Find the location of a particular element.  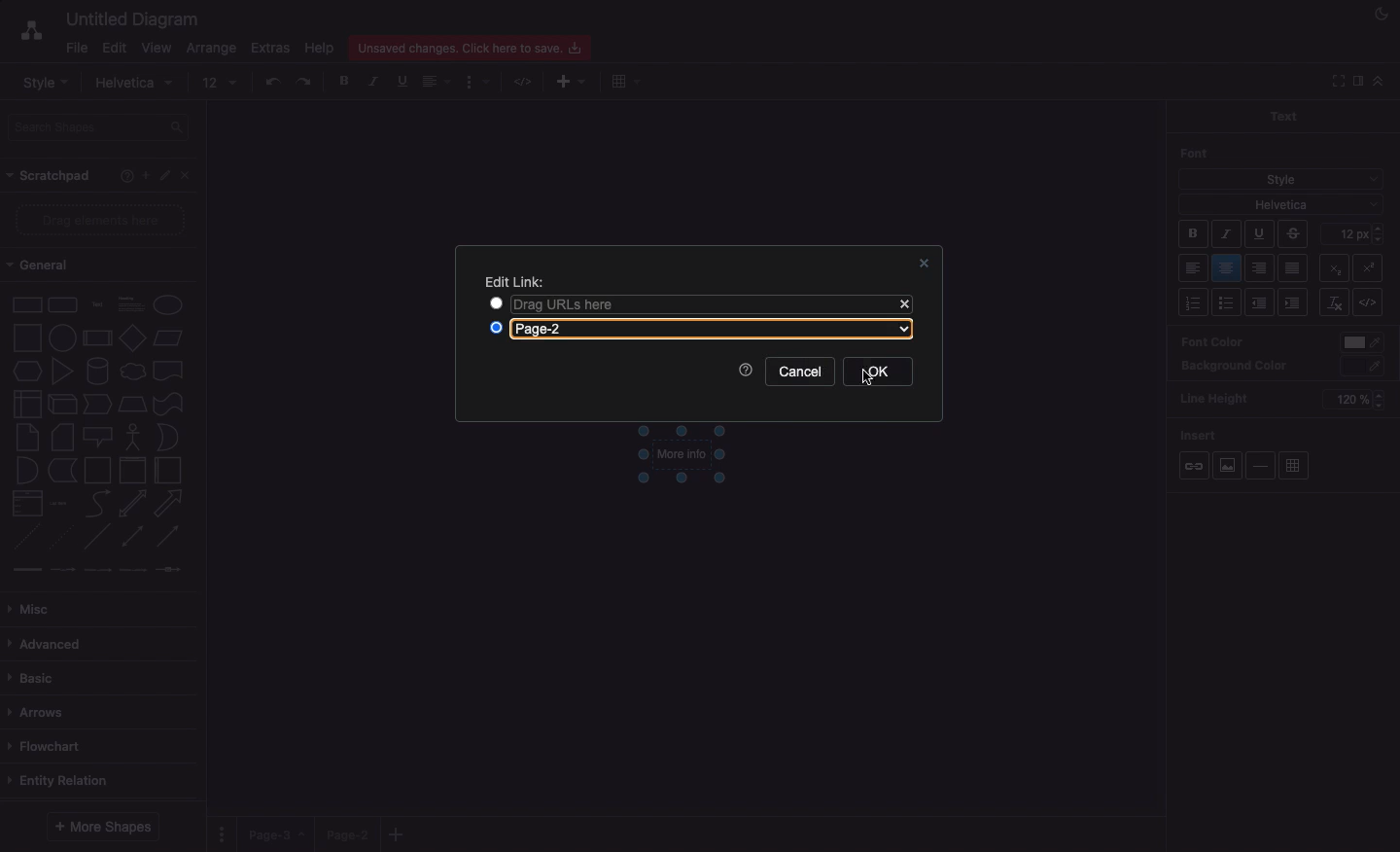

Horizontal is located at coordinates (1263, 465).